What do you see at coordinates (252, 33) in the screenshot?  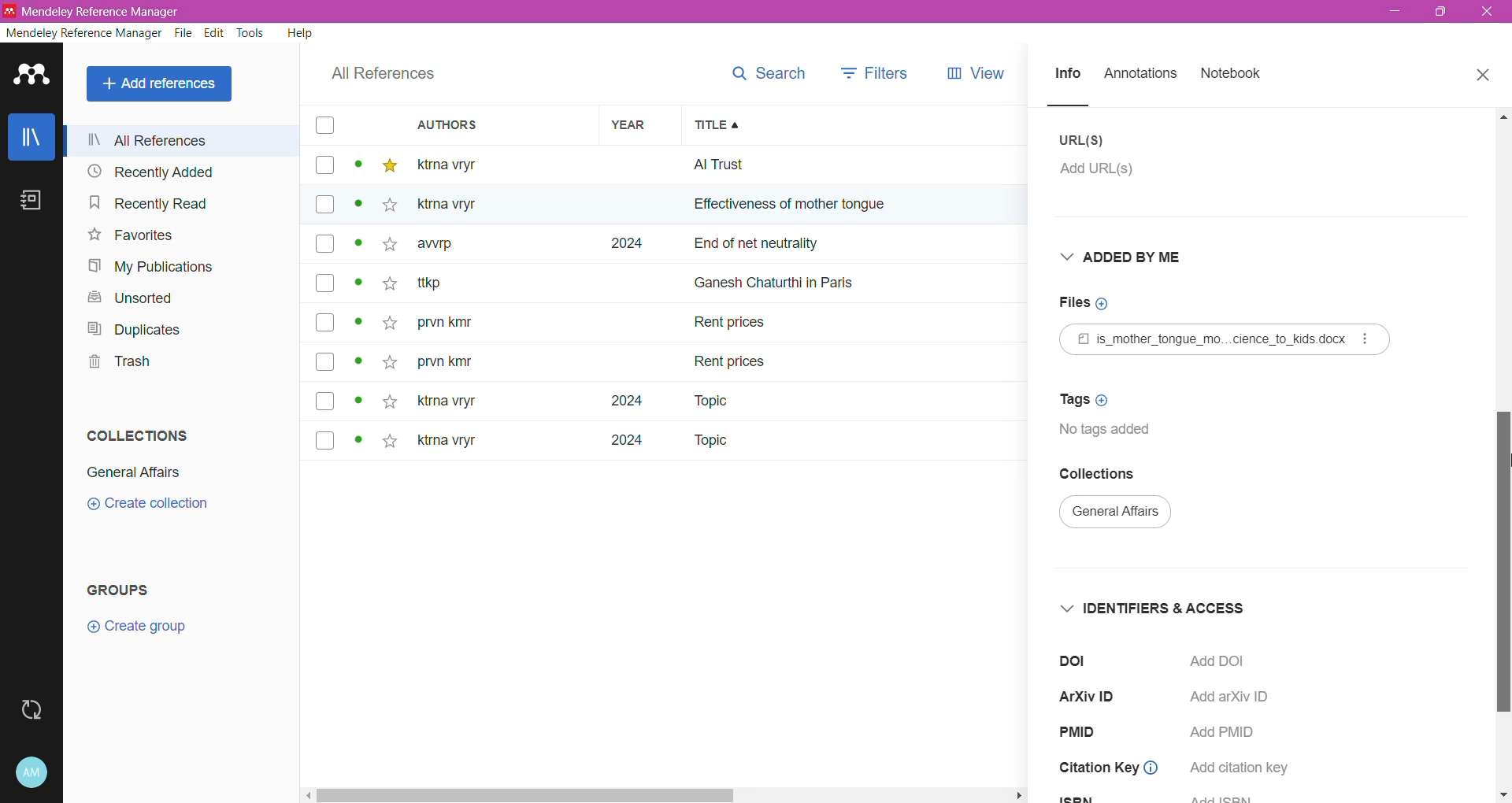 I see `Tools` at bounding box center [252, 33].